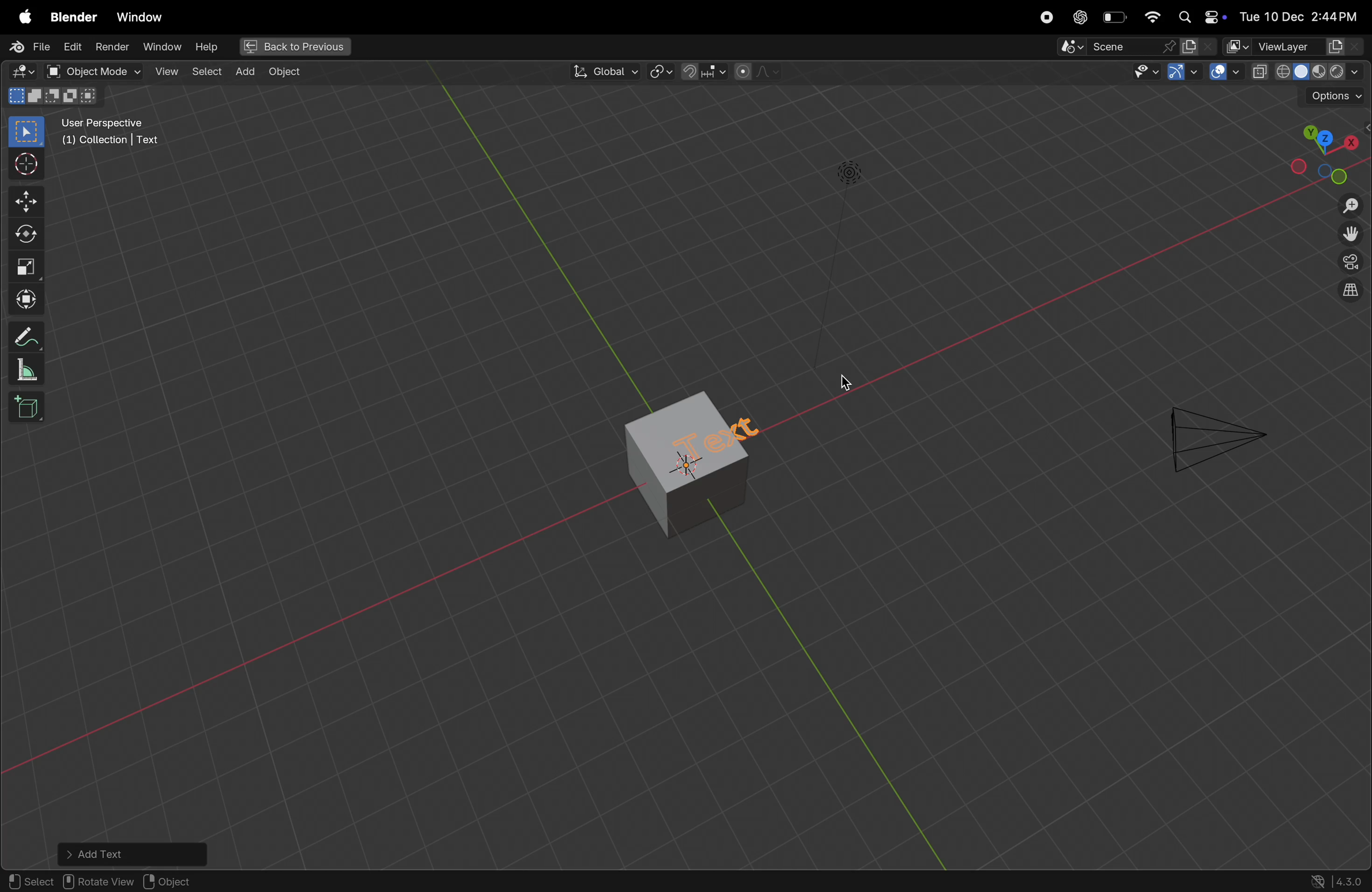  Describe the element at coordinates (97, 881) in the screenshot. I see `Pan view` at that location.